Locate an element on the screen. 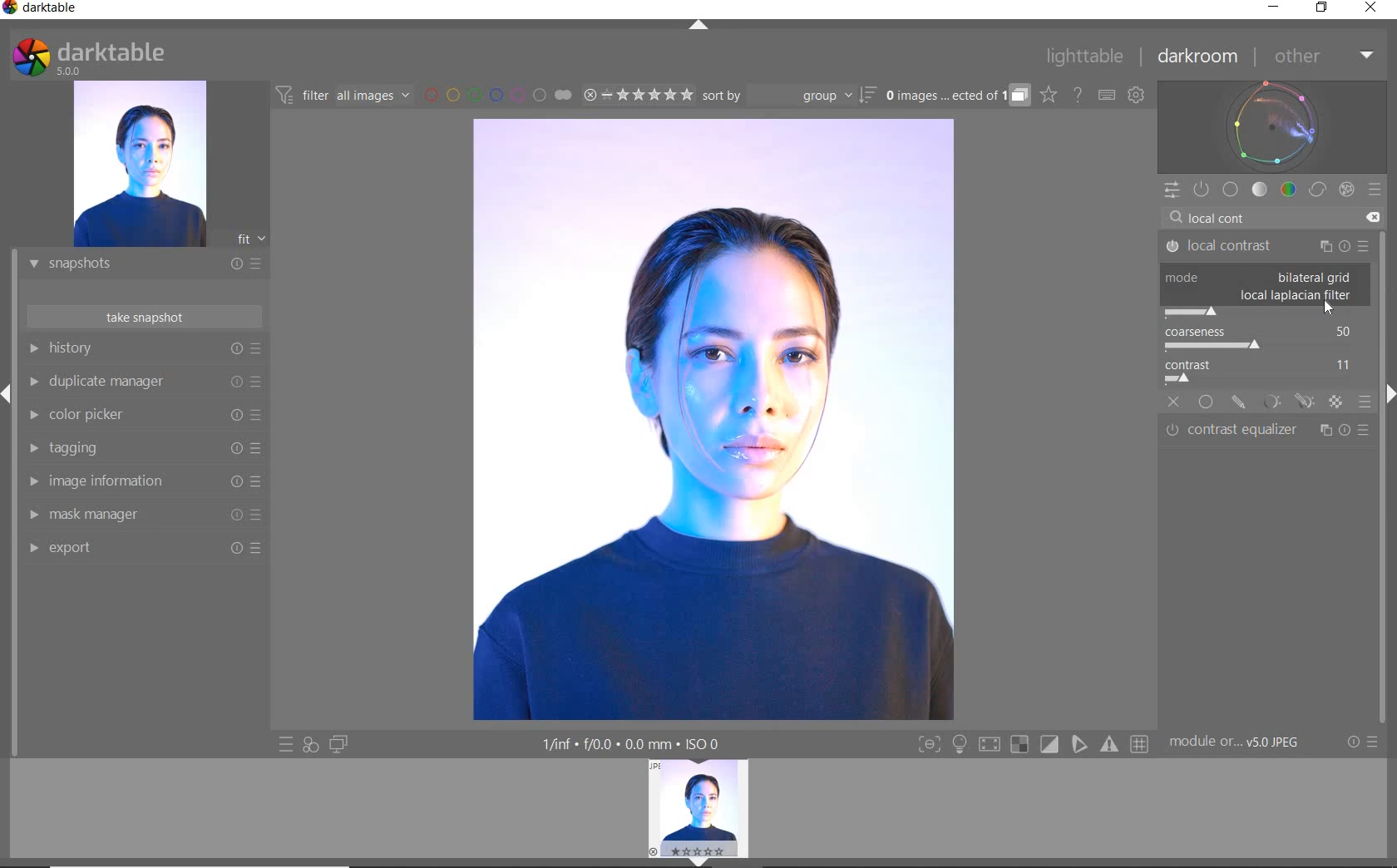 The image size is (1397, 868). SET KEYBOARD SHORTCUTS is located at coordinates (1107, 95).